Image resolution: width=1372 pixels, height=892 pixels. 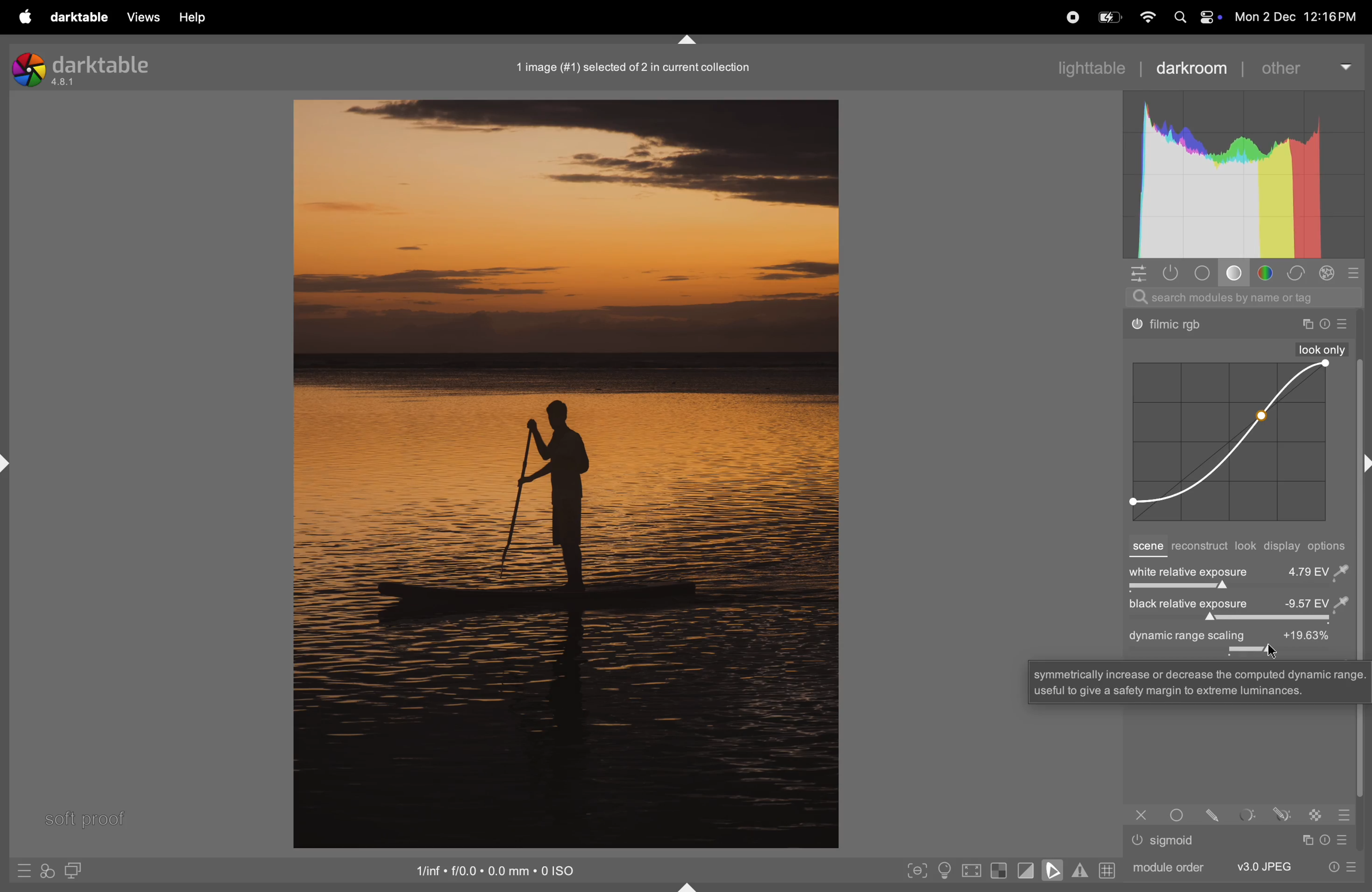 I want to click on , so click(x=1322, y=349).